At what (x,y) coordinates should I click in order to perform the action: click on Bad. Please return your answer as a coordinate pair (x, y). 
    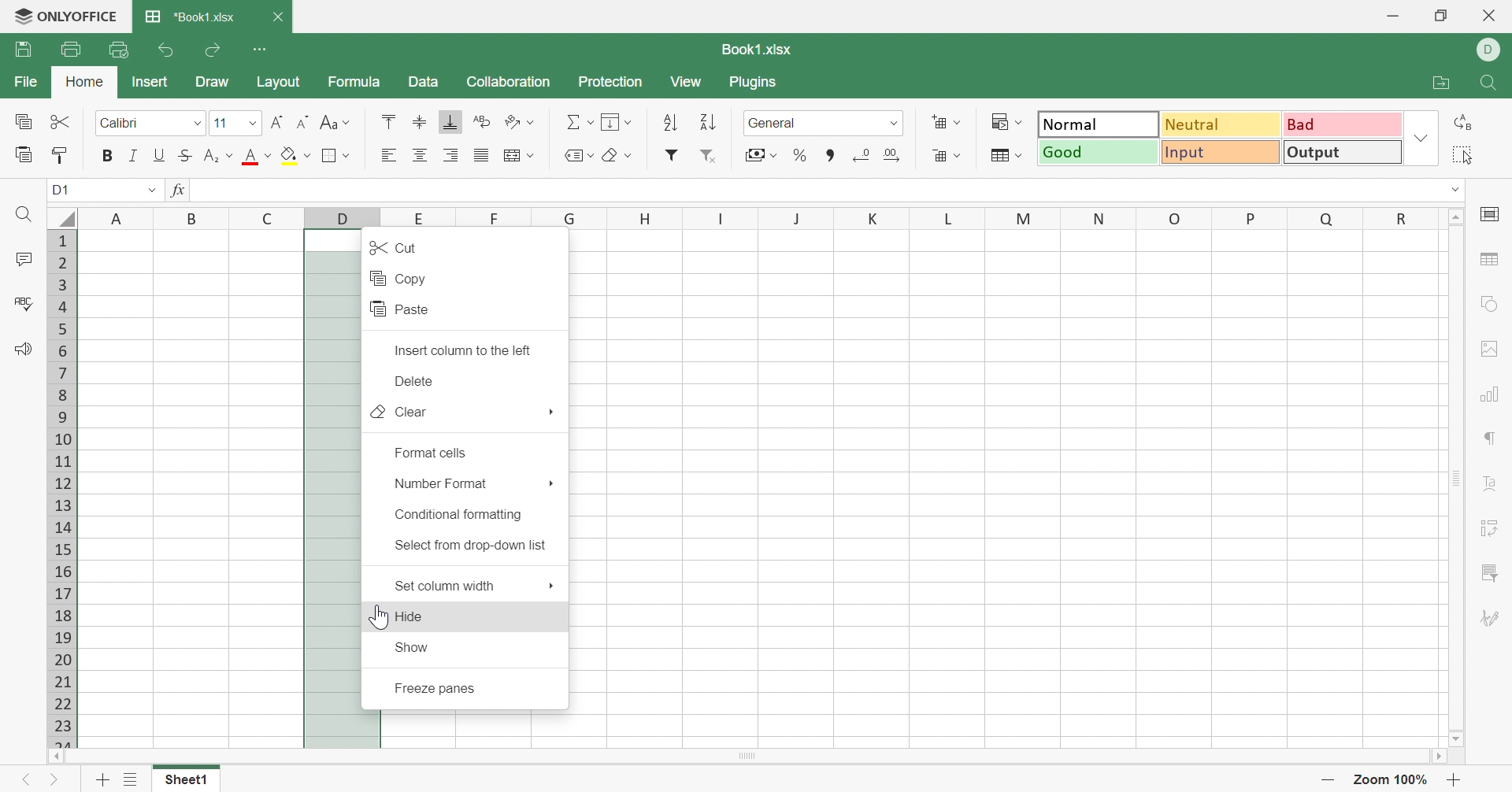
    Looking at the image, I should click on (1346, 125).